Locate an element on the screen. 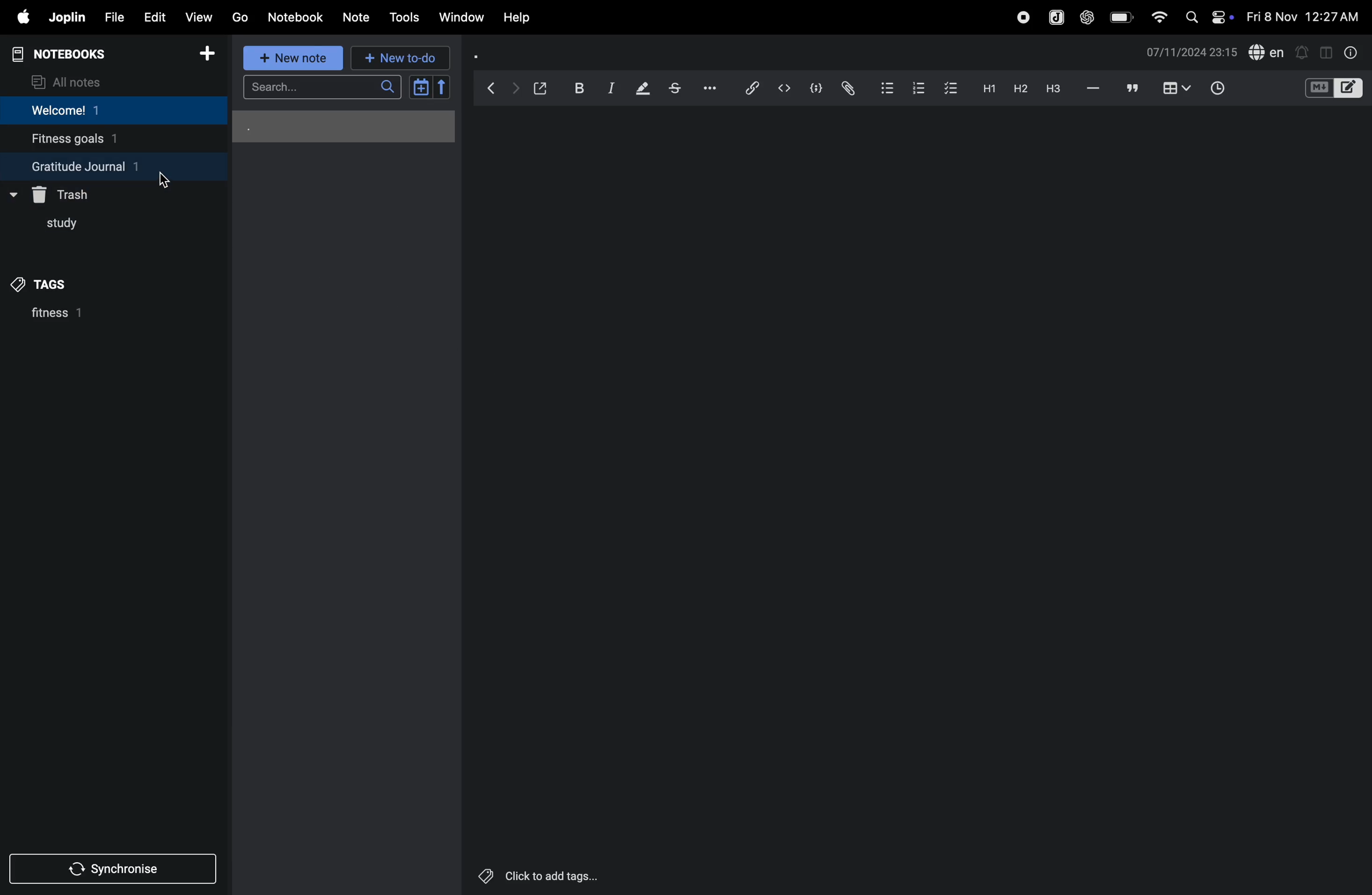 The width and height of the screenshot is (1372, 895). inline code is located at coordinates (782, 89).